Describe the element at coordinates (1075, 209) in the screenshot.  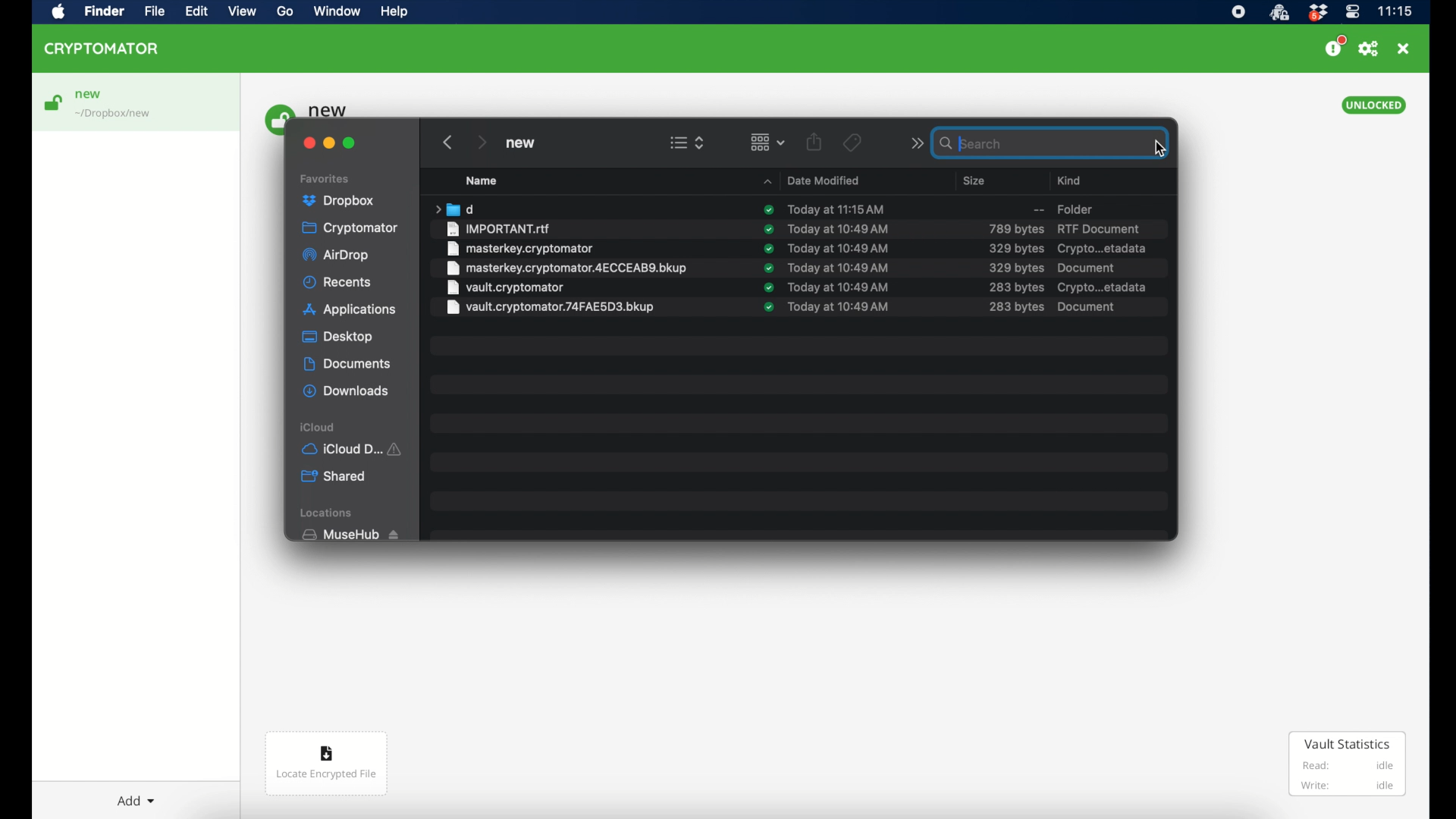
I see `folder` at that location.